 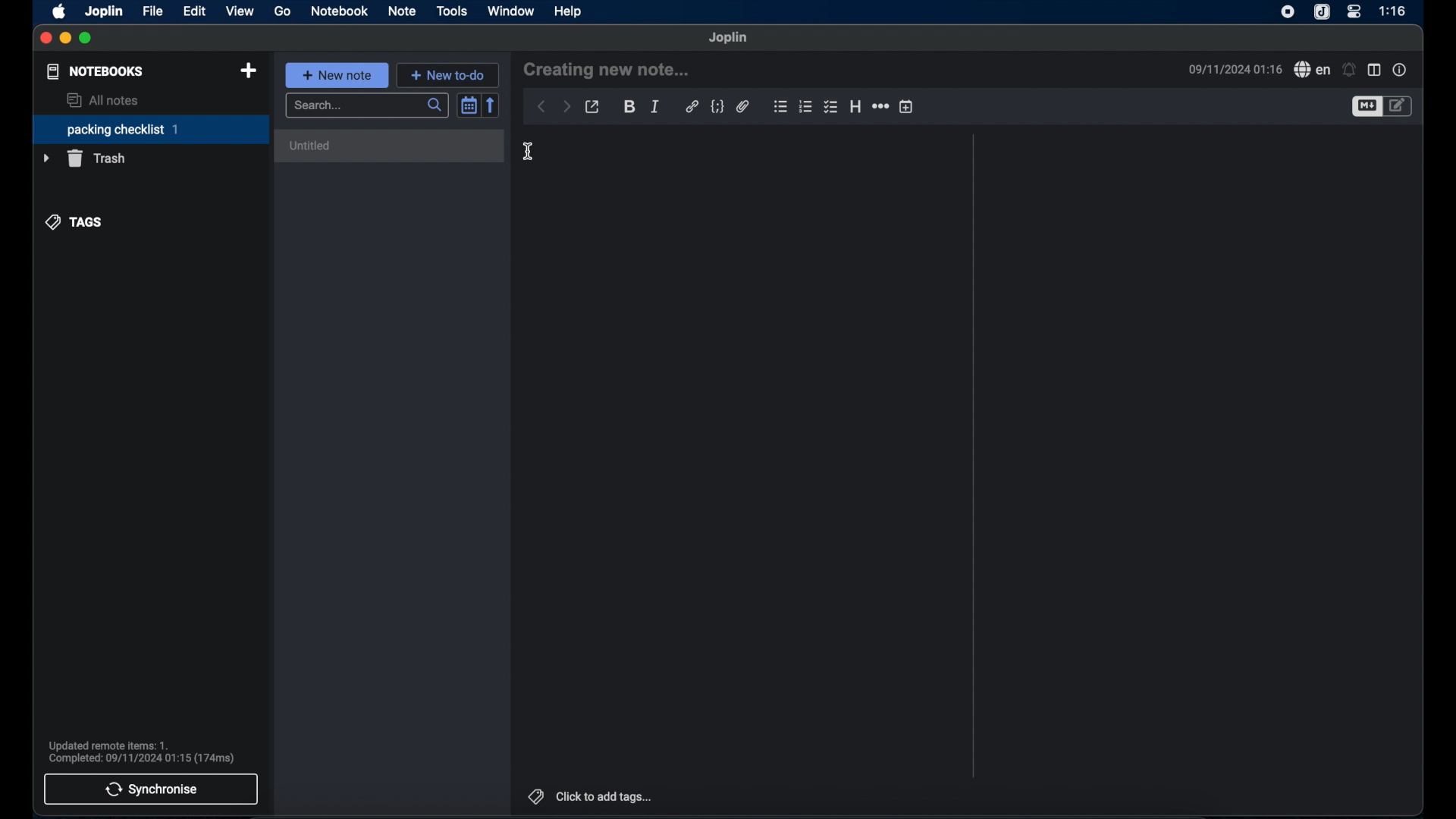 What do you see at coordinates (855, 106) in the screenshot?
I see `heading` at bounding box center [855, 106].